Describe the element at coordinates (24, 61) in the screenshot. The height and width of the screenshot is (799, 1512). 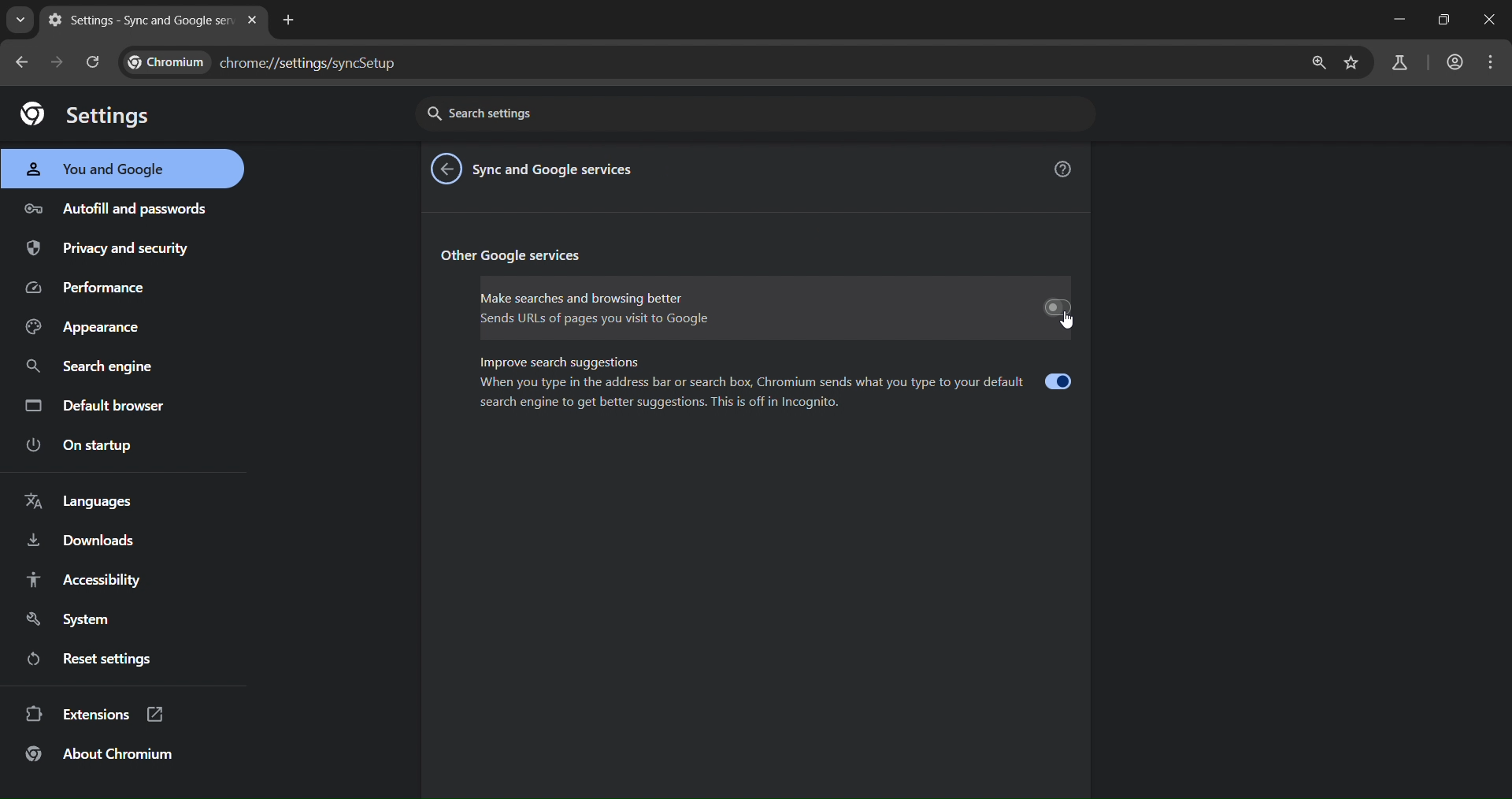
I see `go back one page` at that location.